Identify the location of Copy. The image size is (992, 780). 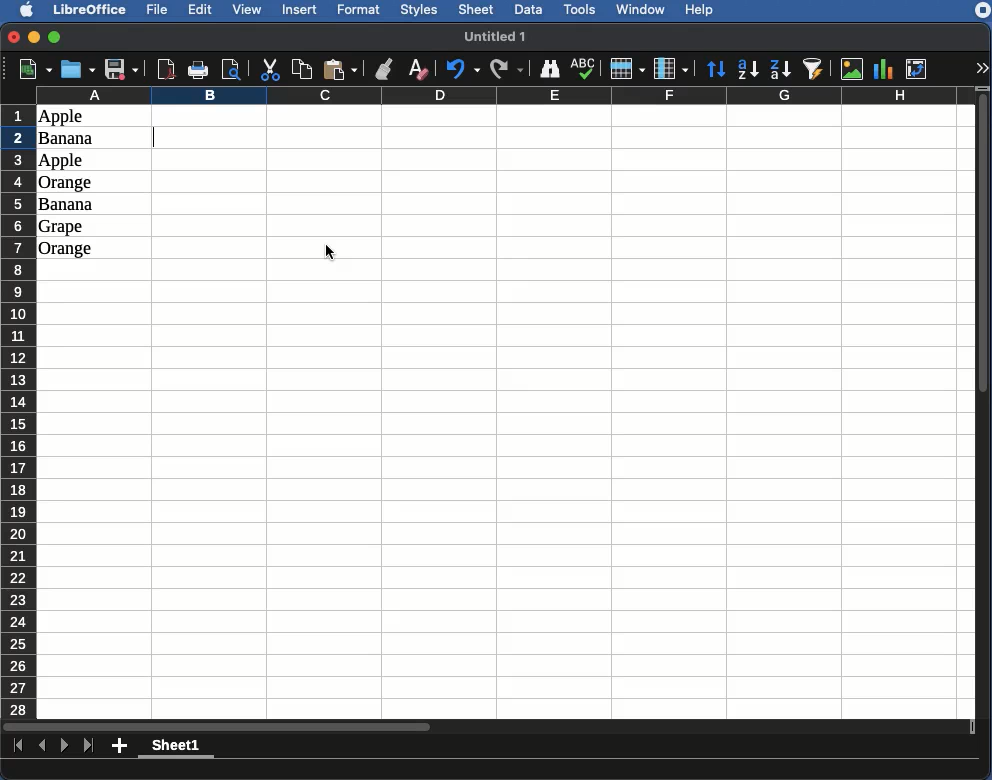
(302, 69).